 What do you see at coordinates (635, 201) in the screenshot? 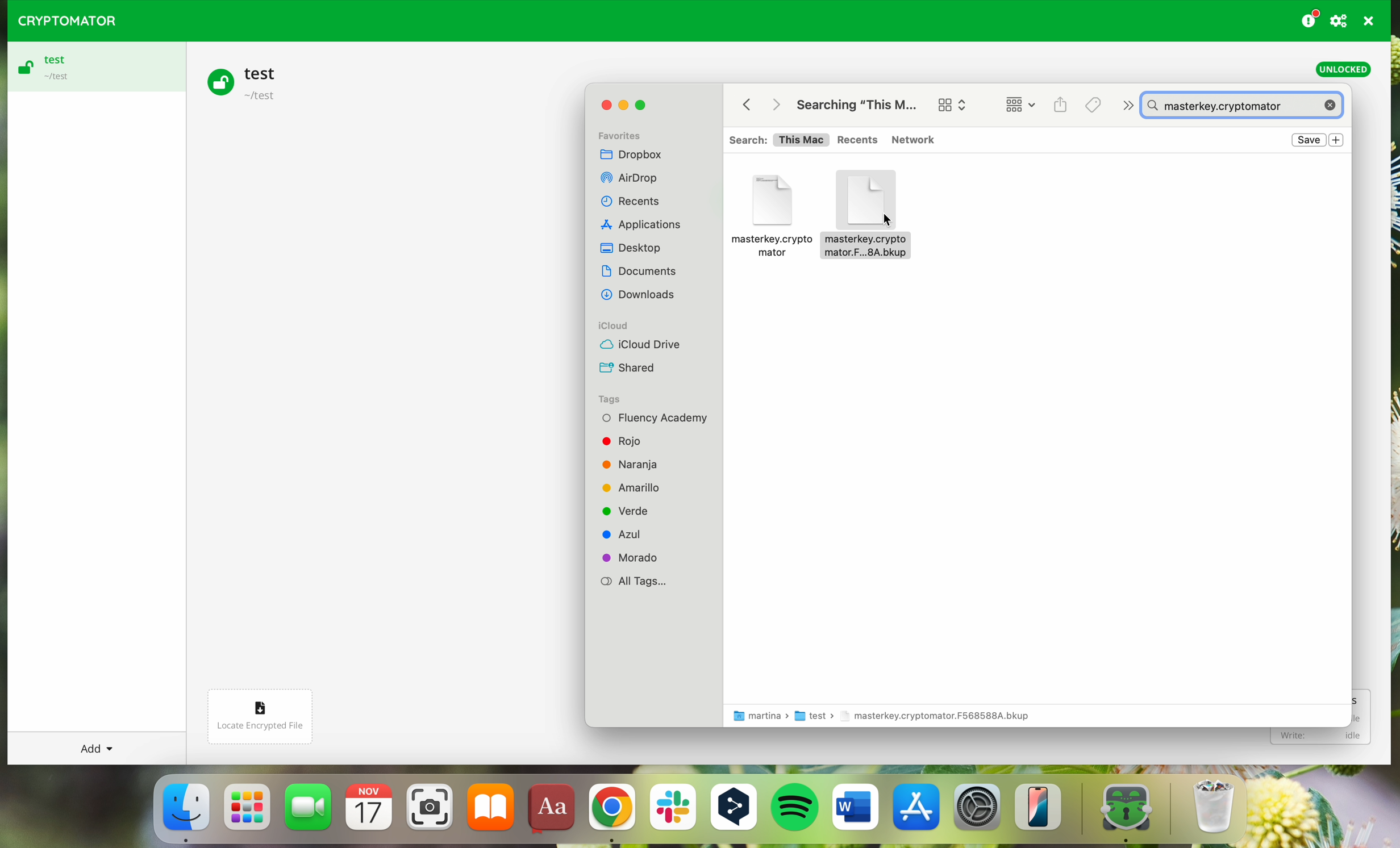
I see `Recents` at bounding box center [635, 201].